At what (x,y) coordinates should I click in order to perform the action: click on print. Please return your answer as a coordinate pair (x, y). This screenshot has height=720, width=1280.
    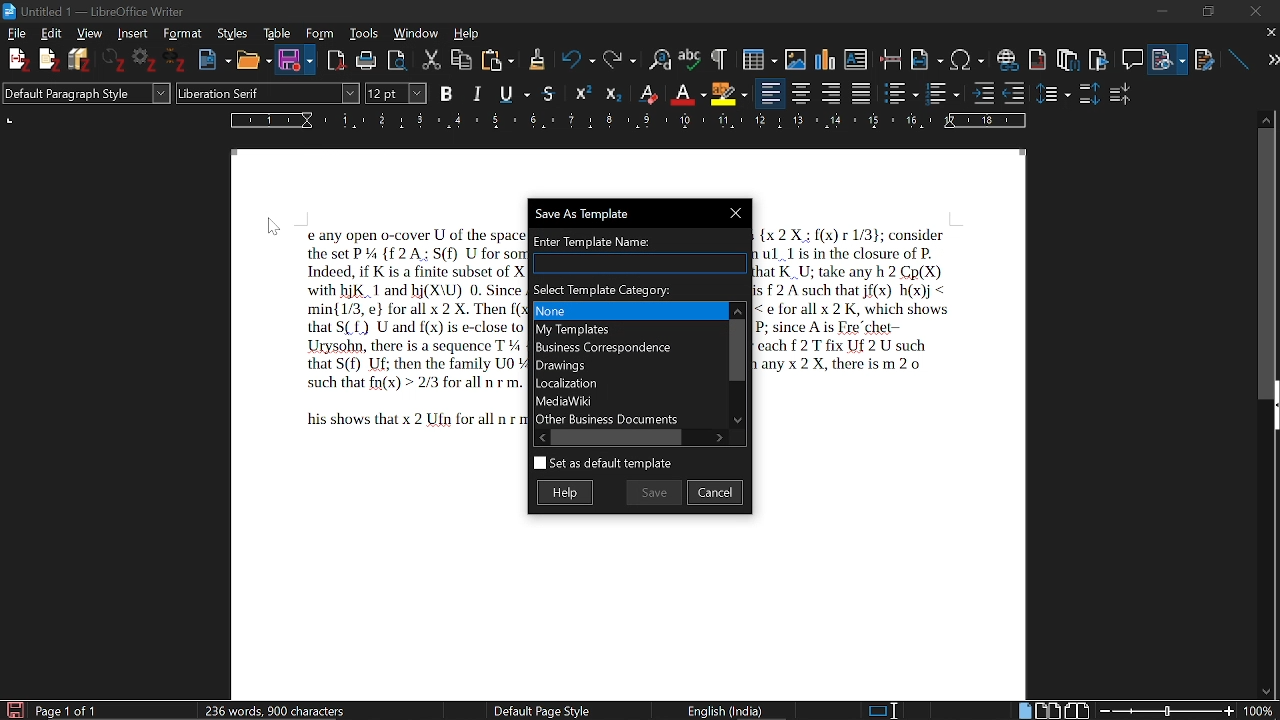
    Looking at the image, I should click on (366, 59).